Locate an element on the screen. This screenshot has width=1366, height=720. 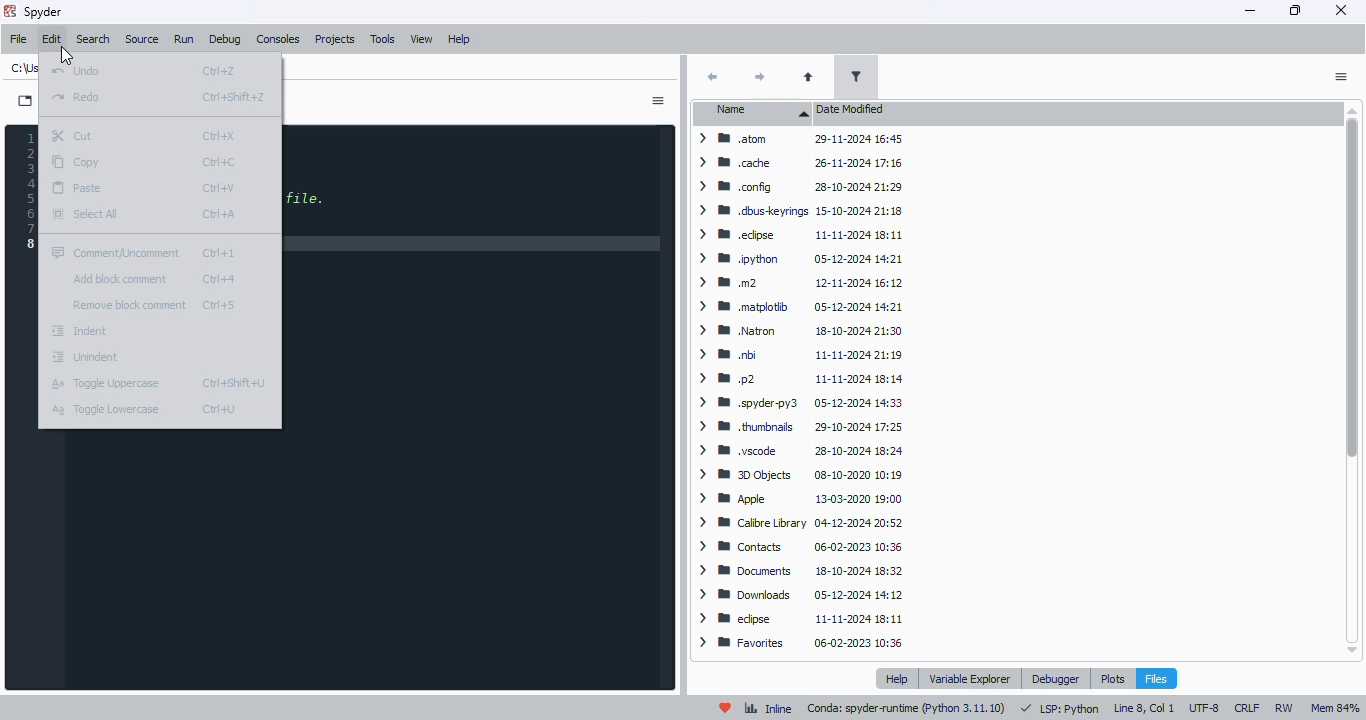
tools is located at coordinates (382, 39).